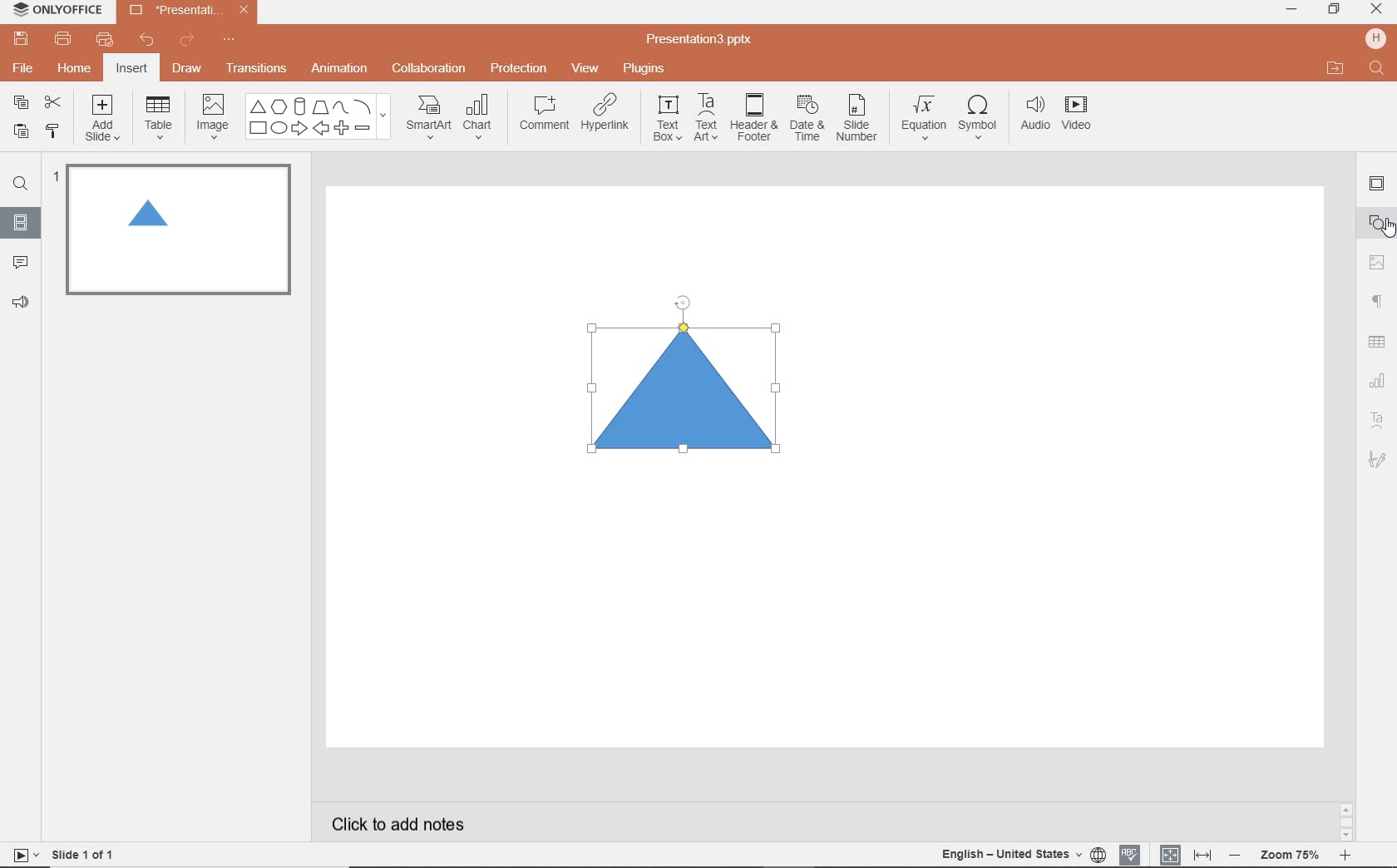 This screenshot has width=1397, height=868. What do you see at coordinates (25, 66) in the screenshot?
I see `FILE` at bounding box center [25, 66].